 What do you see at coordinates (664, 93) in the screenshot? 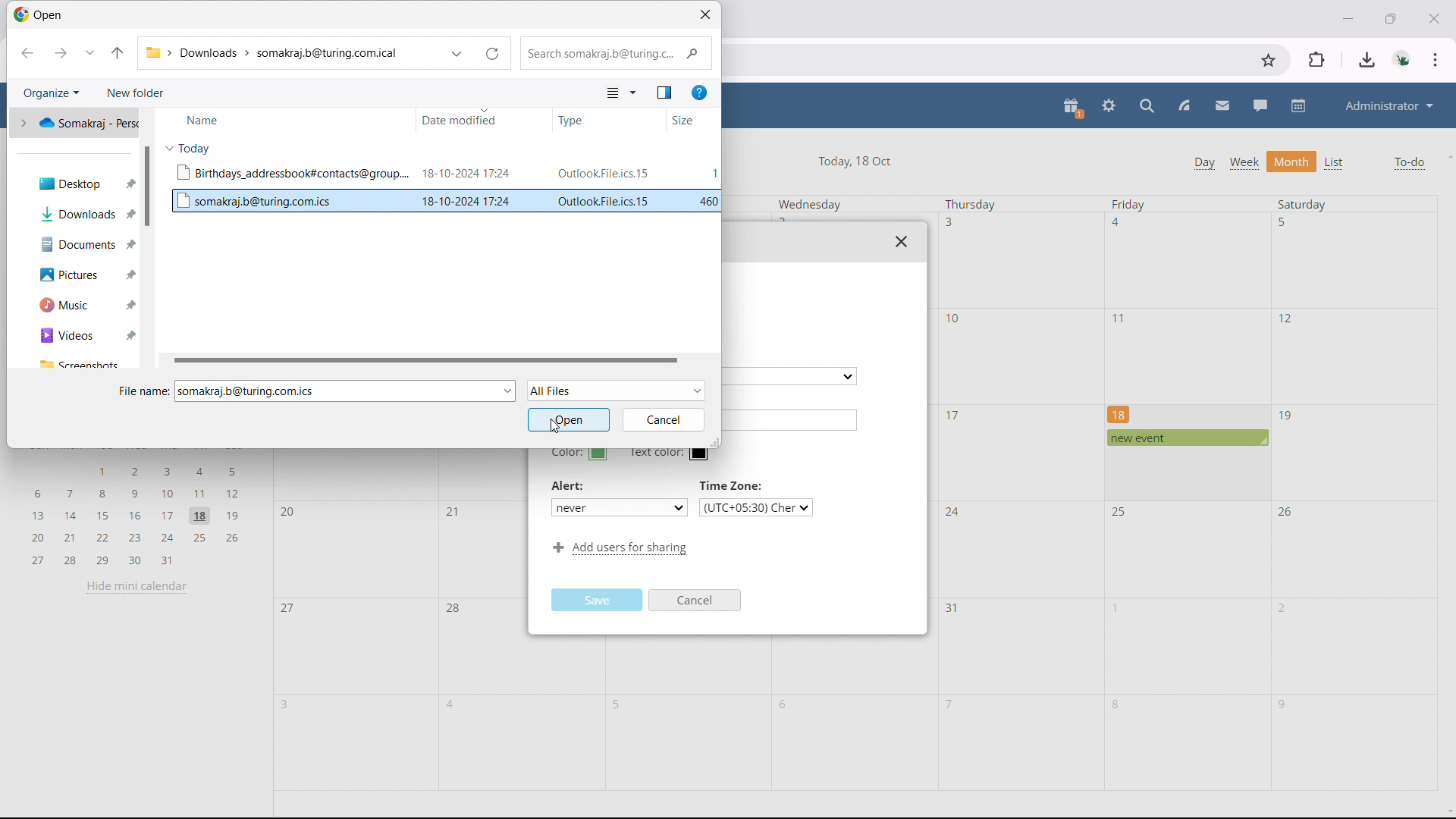
I see `preview pane` at bounding box center [664, 93].